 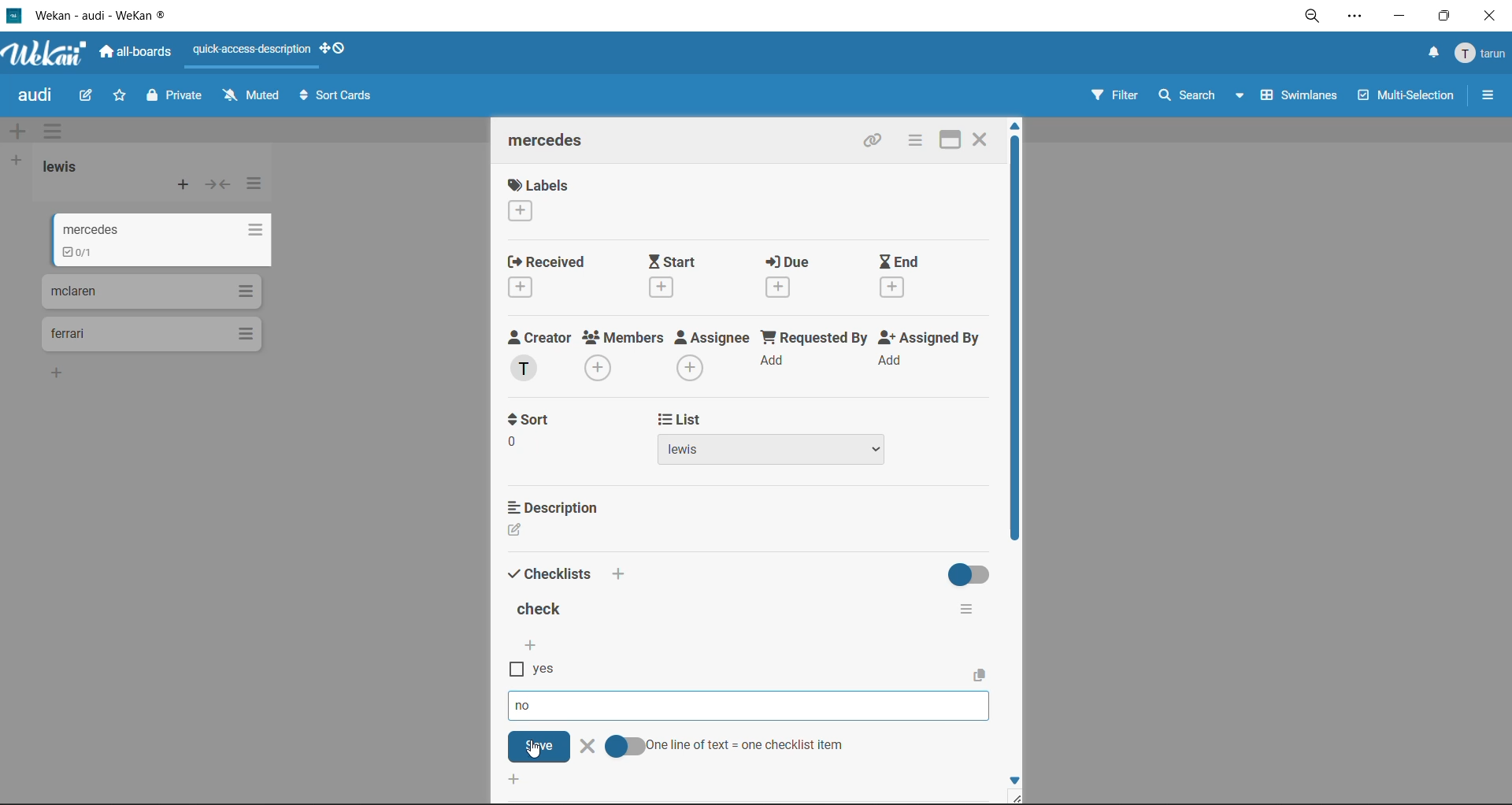 What do you see at coordinates (1488, 95) in the screenshot?
I see `sidebar` at bounding box center [1488, 95].